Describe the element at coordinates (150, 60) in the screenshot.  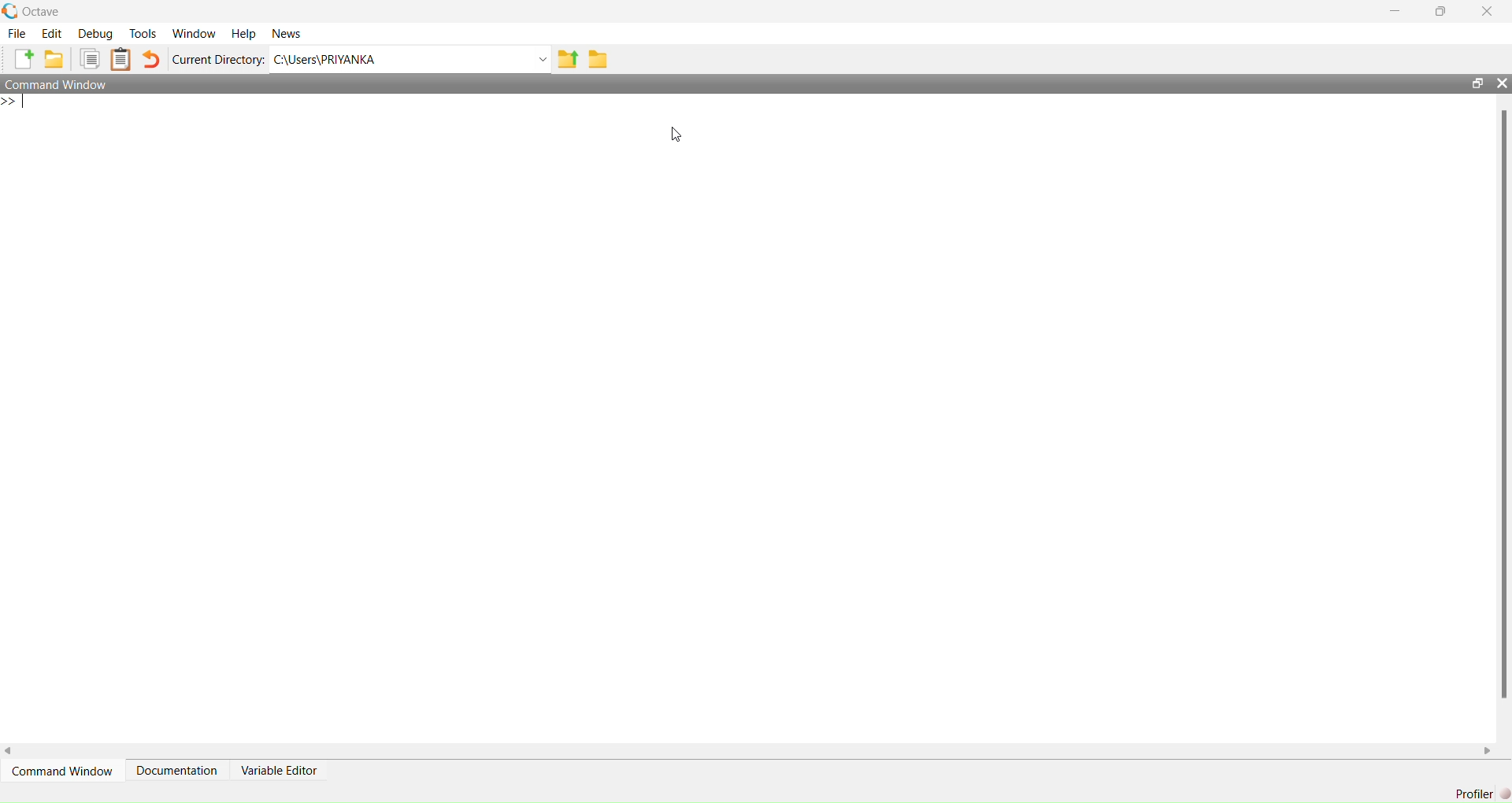
I see `undo` at that location.